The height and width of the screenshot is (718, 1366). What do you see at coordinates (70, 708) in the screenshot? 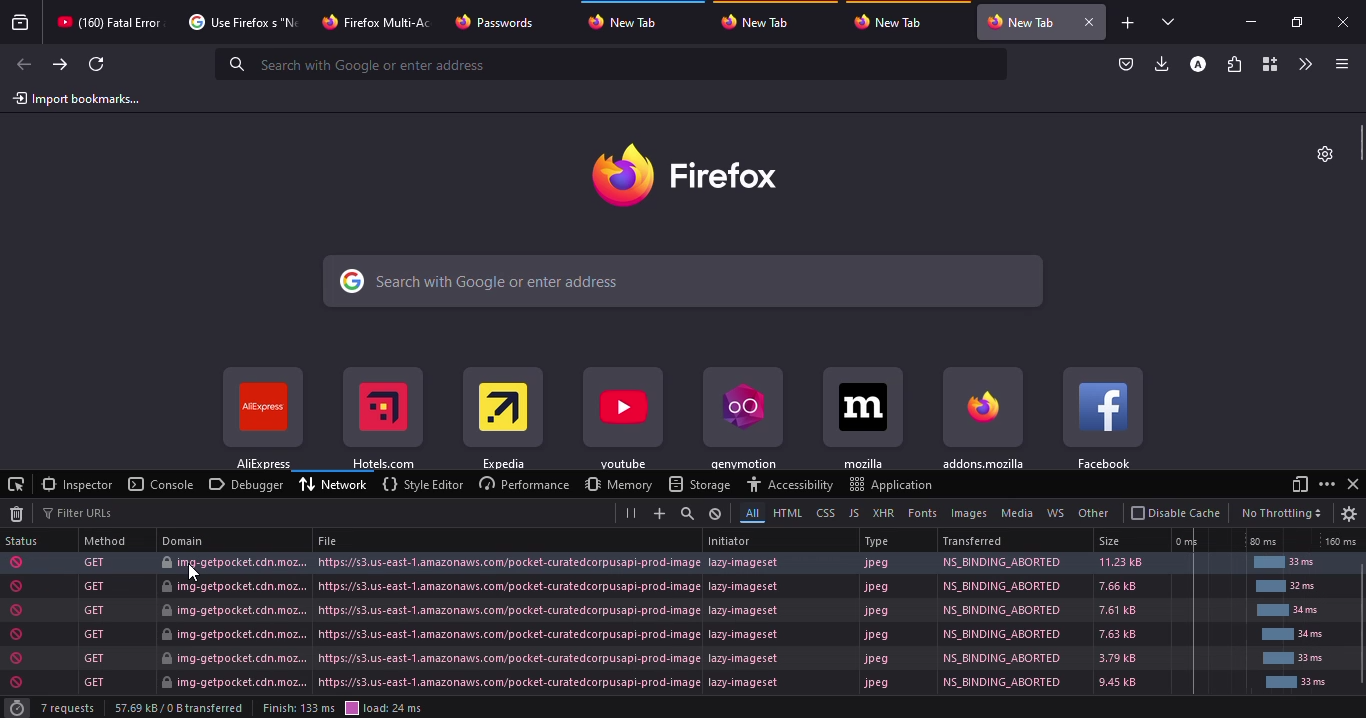
I see `7 requests` at bounding box center [70, 708].